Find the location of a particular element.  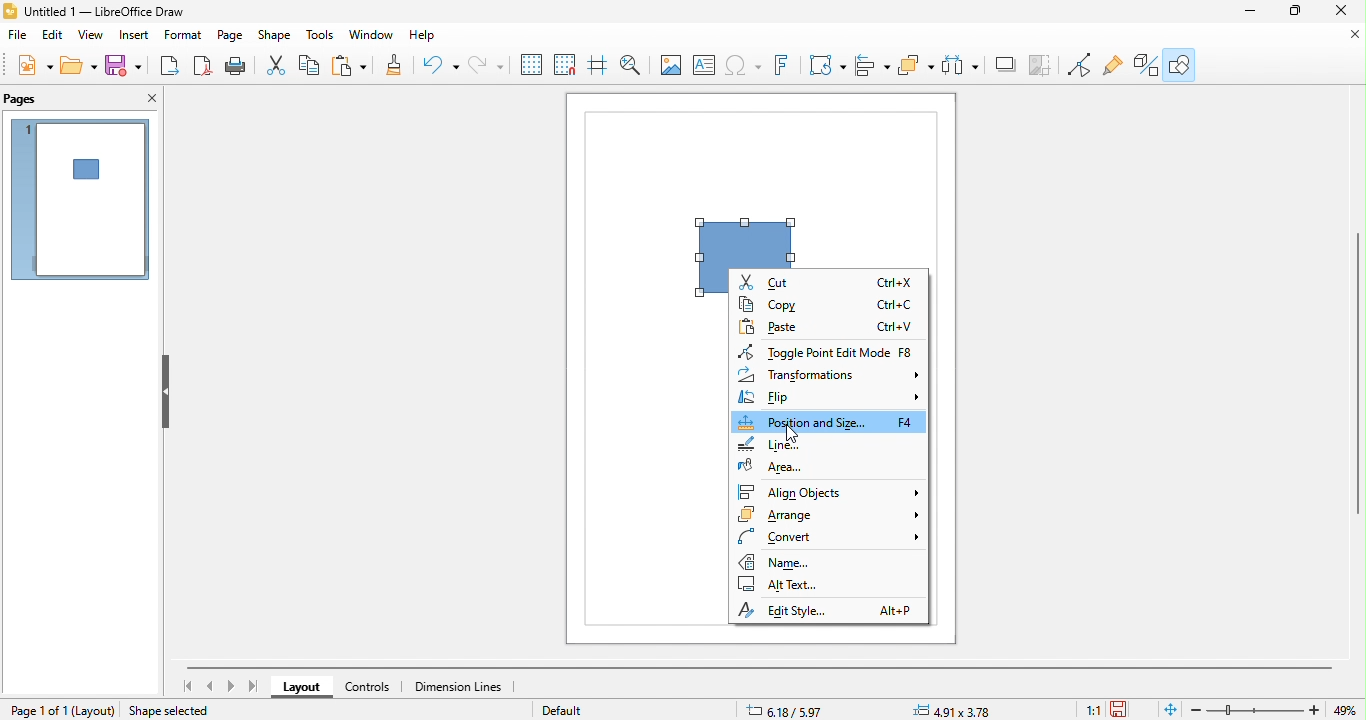

area is located at coordinates (782, 465).